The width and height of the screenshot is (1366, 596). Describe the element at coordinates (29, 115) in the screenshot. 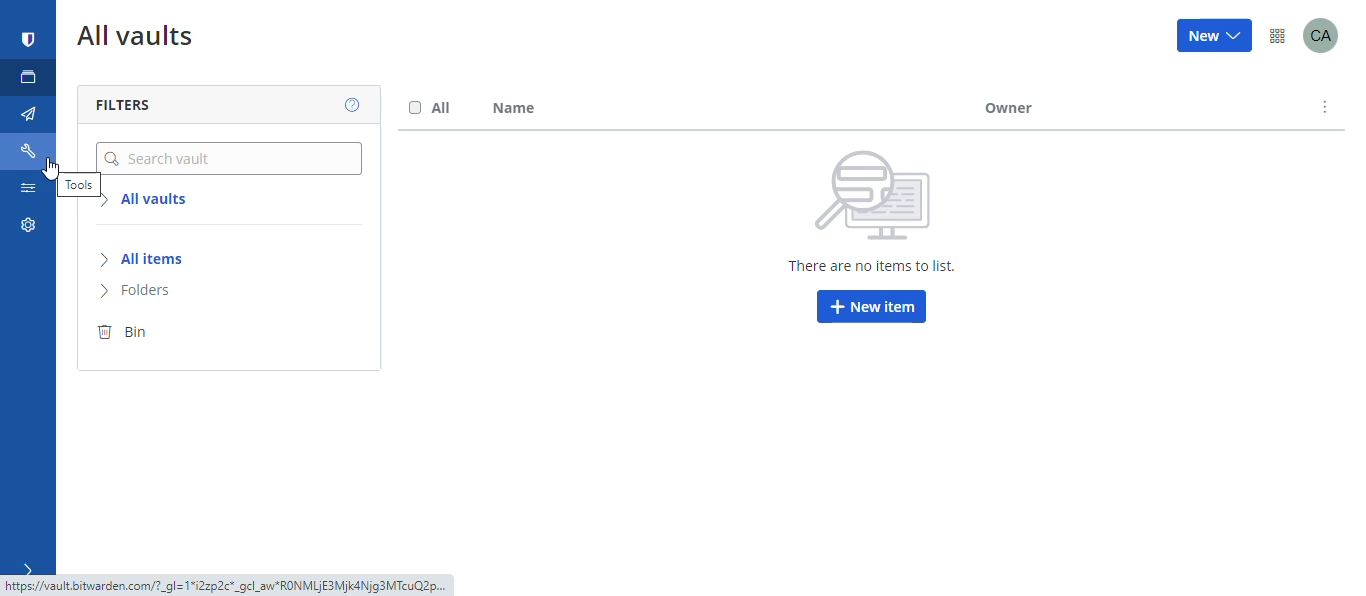

I see `send` at that location.